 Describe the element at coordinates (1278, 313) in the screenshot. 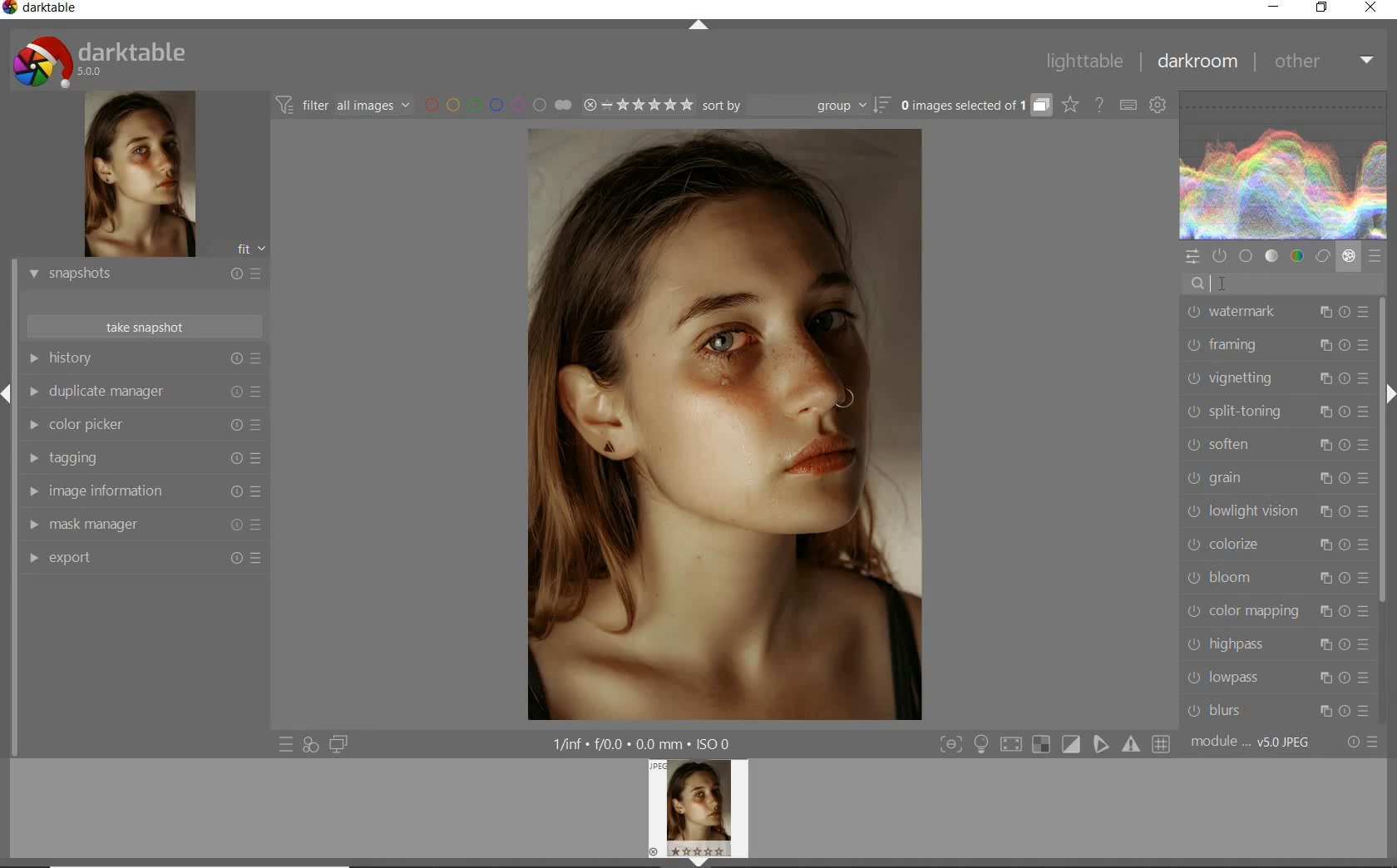

I see `watermark` at that location.